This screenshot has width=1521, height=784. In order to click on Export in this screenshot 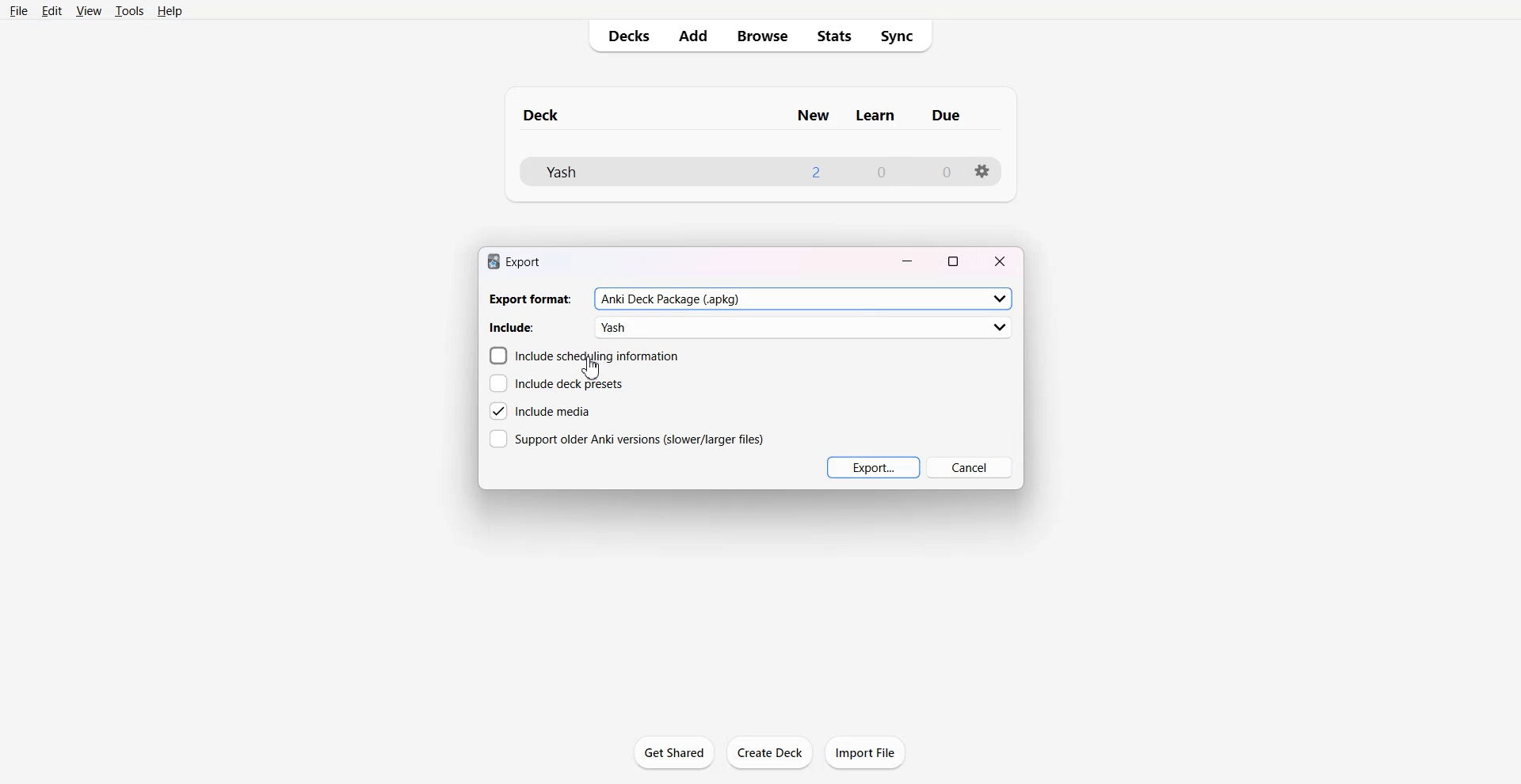, I will do `click(873, 467)`.